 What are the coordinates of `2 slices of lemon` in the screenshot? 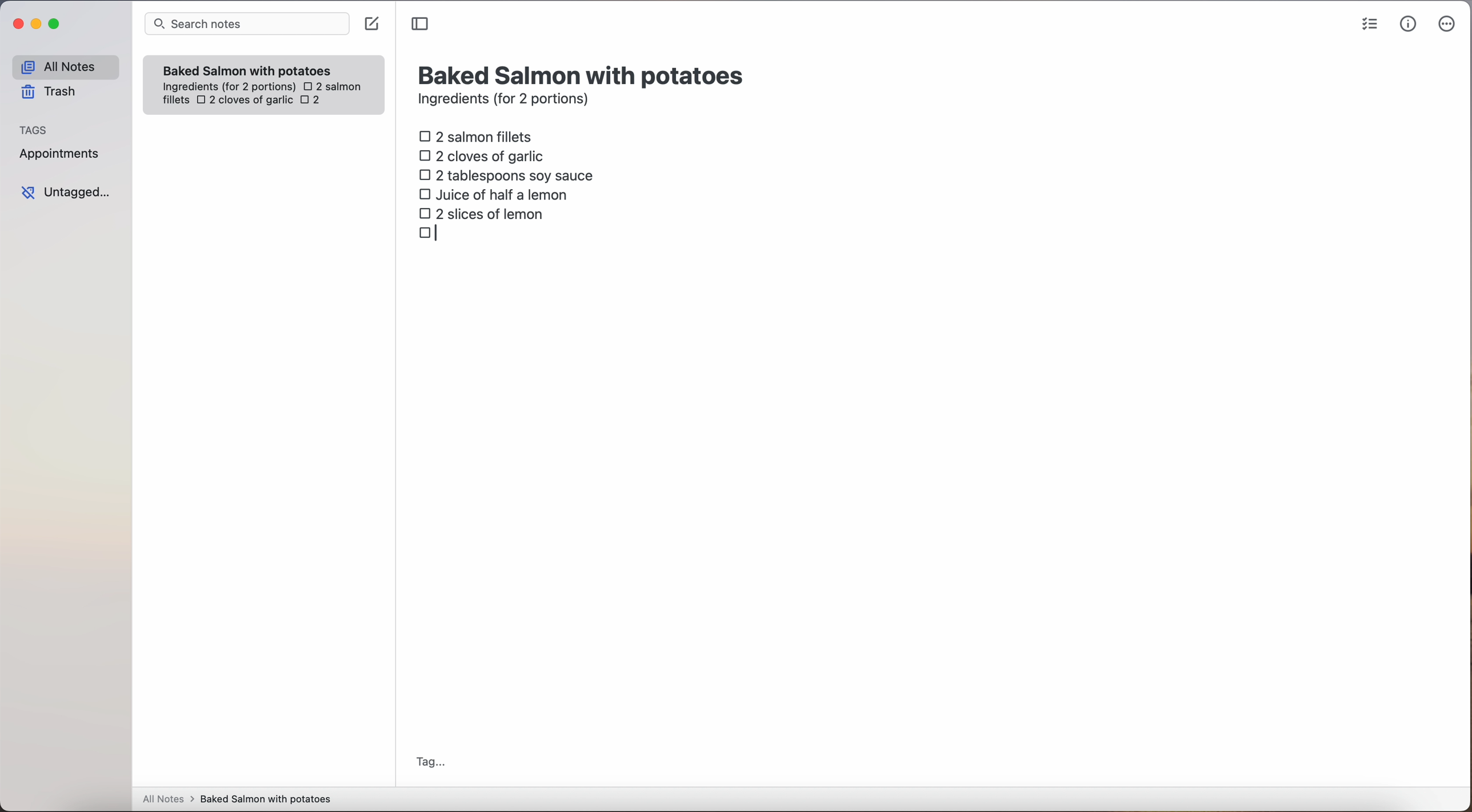 It's located at (482, 214).